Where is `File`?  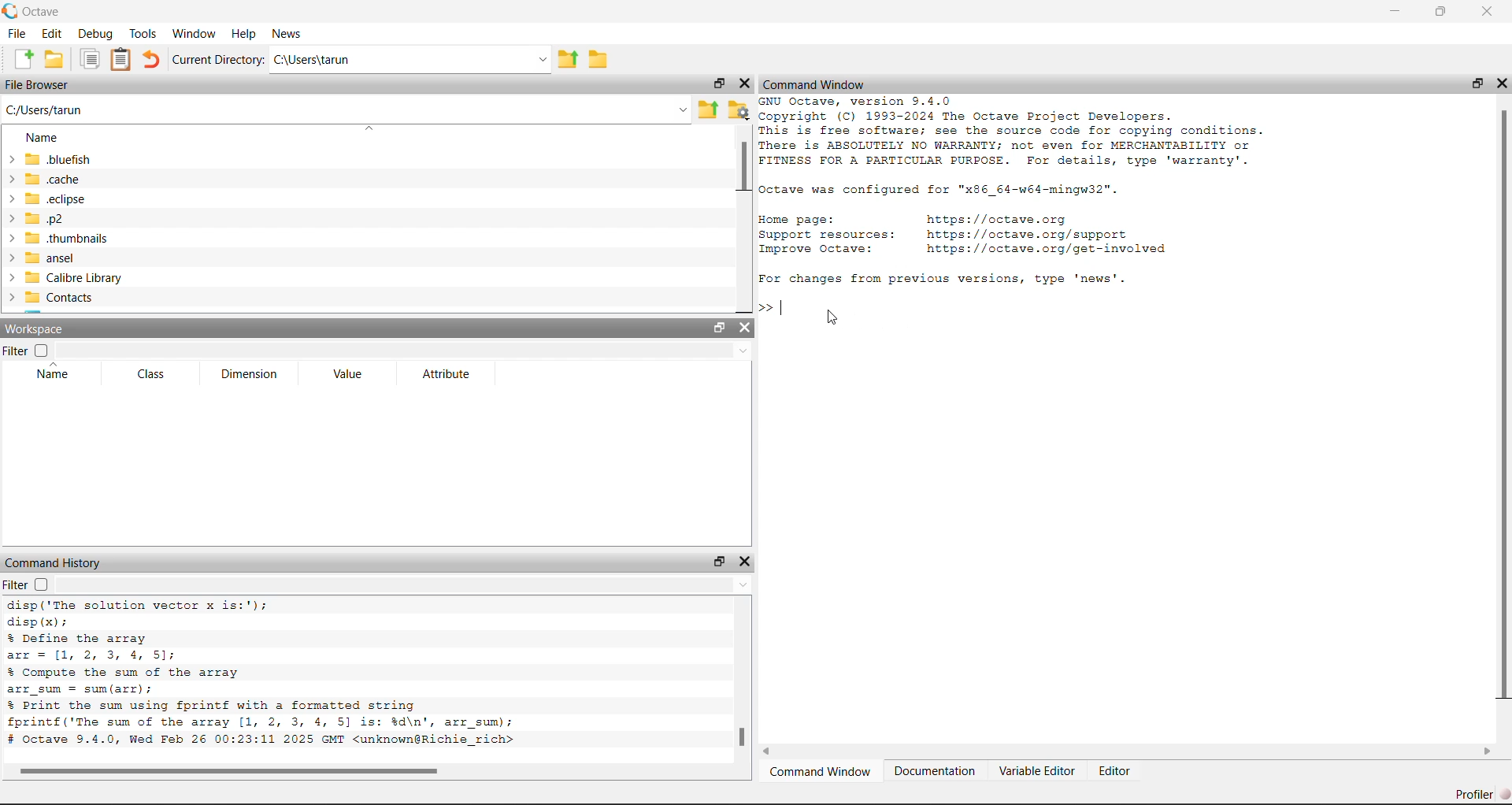
File is located at coordinates (18, 33).